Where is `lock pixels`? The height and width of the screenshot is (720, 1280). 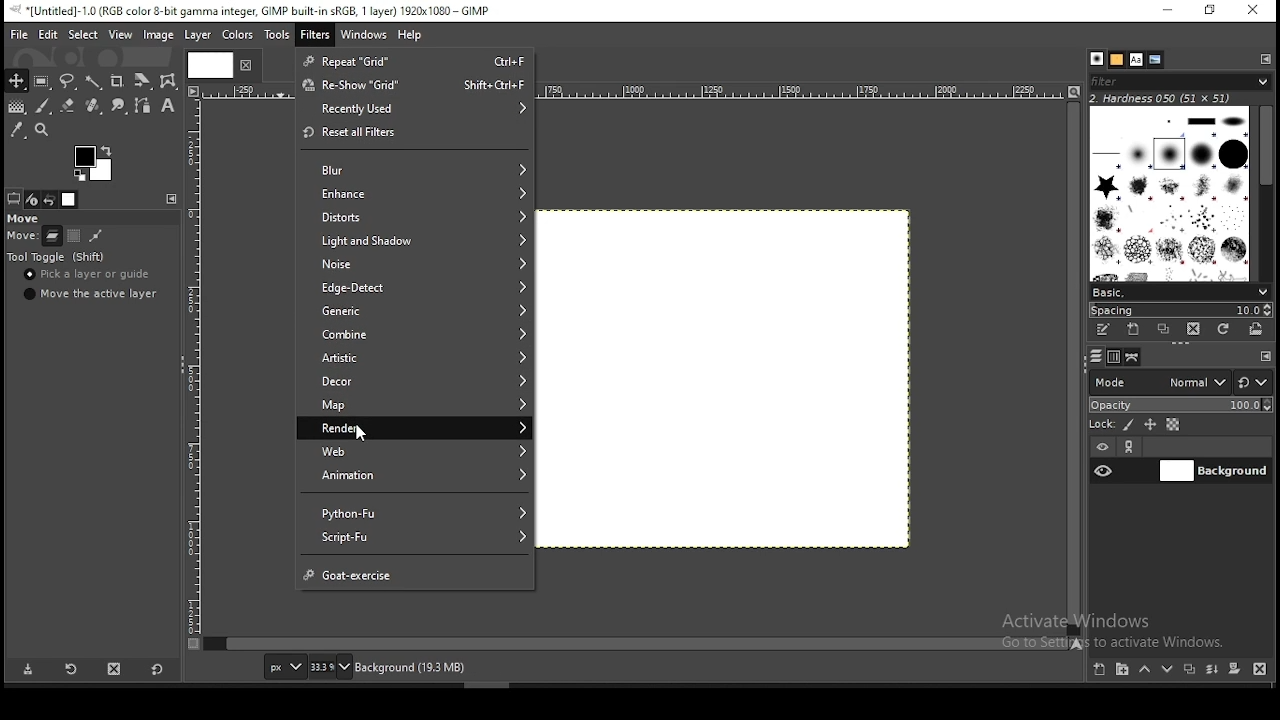
lock pixels is located at coordinates (1128, 425).